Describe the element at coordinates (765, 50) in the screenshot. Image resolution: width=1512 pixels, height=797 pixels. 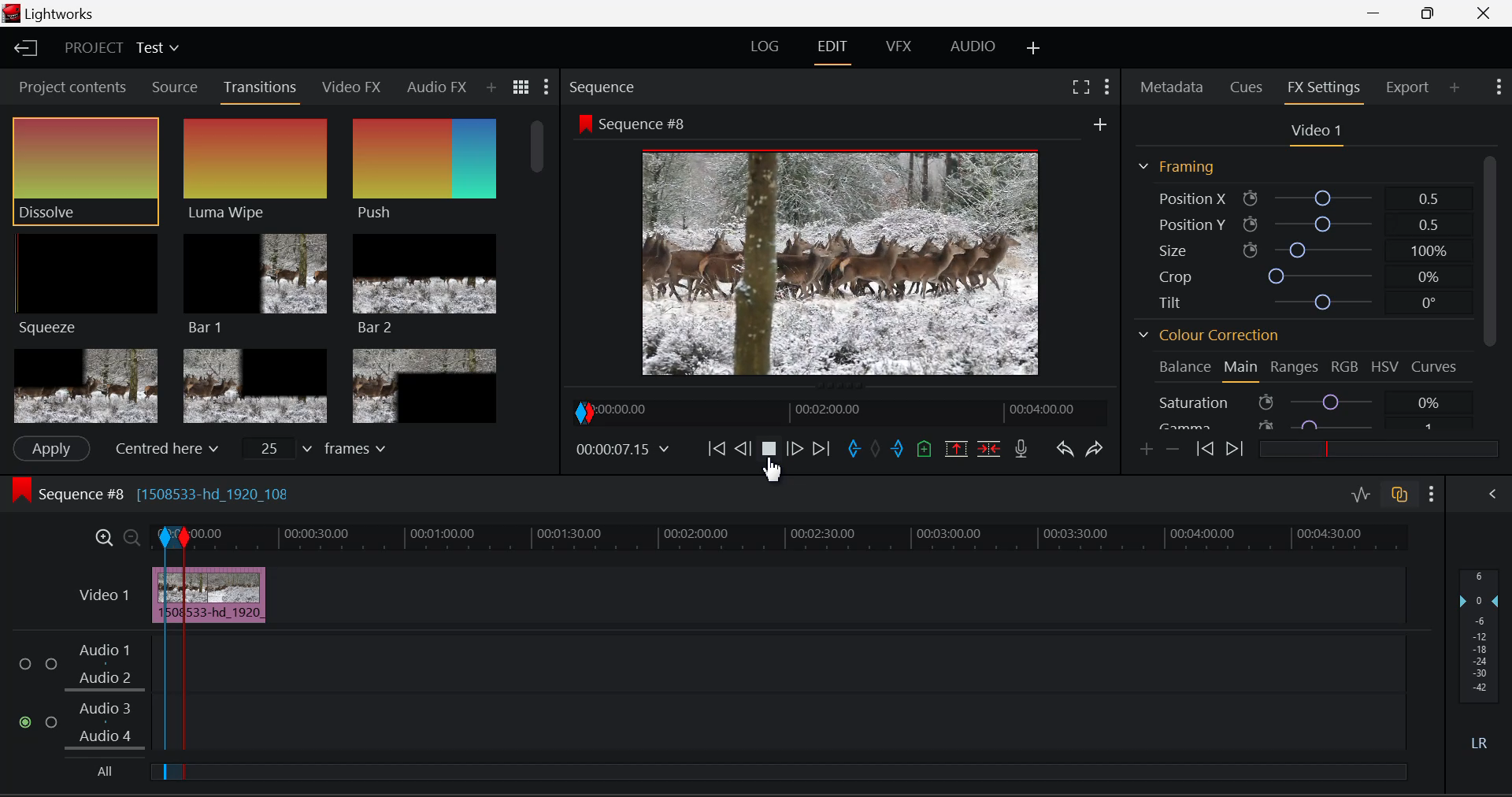
I see `LOG Layout` at that location.